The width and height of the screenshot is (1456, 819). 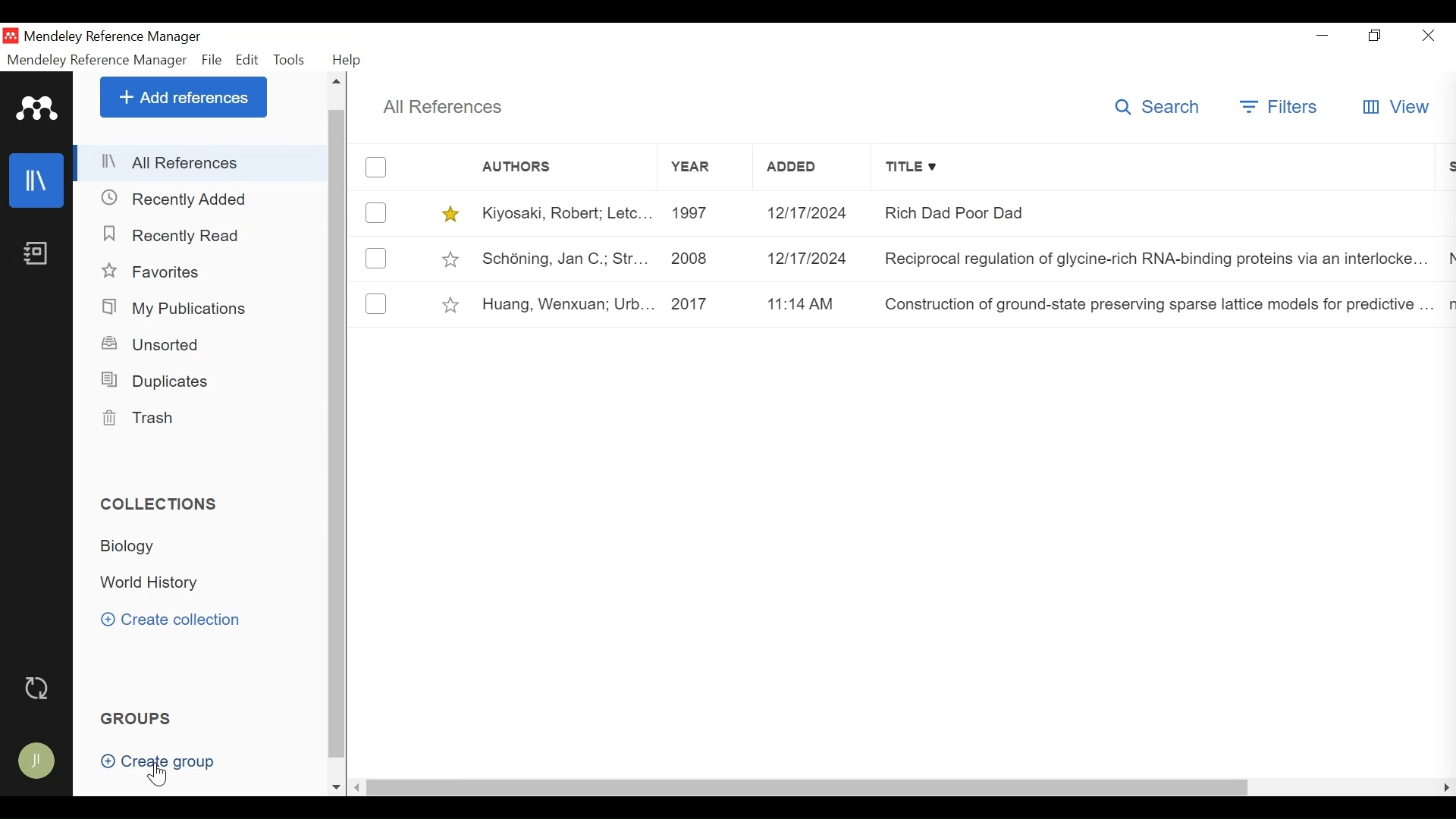 I want to click on (un)select, so click(x=378, y=167).